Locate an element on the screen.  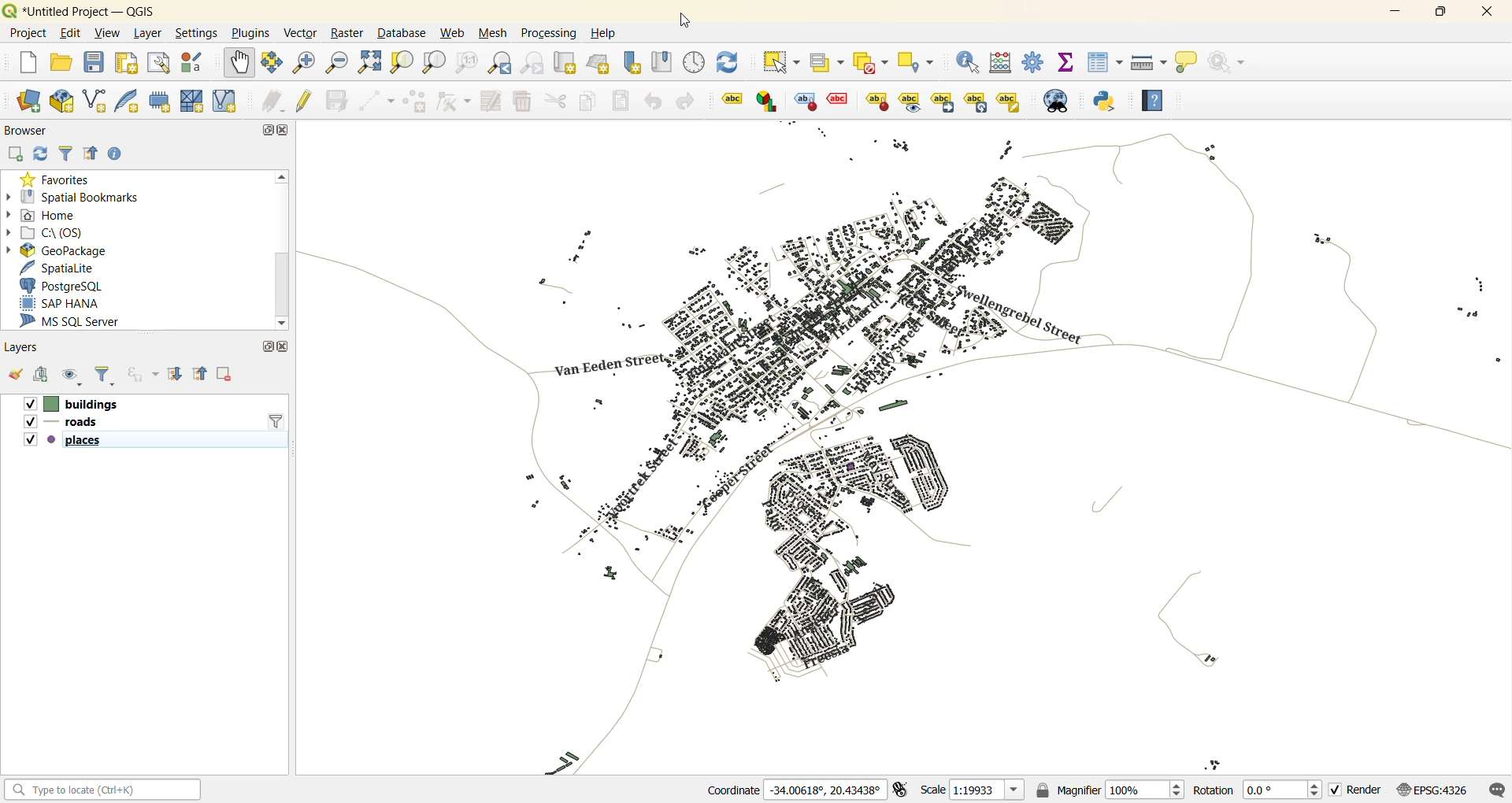
rotate a label is located at coordinates (976, 102).